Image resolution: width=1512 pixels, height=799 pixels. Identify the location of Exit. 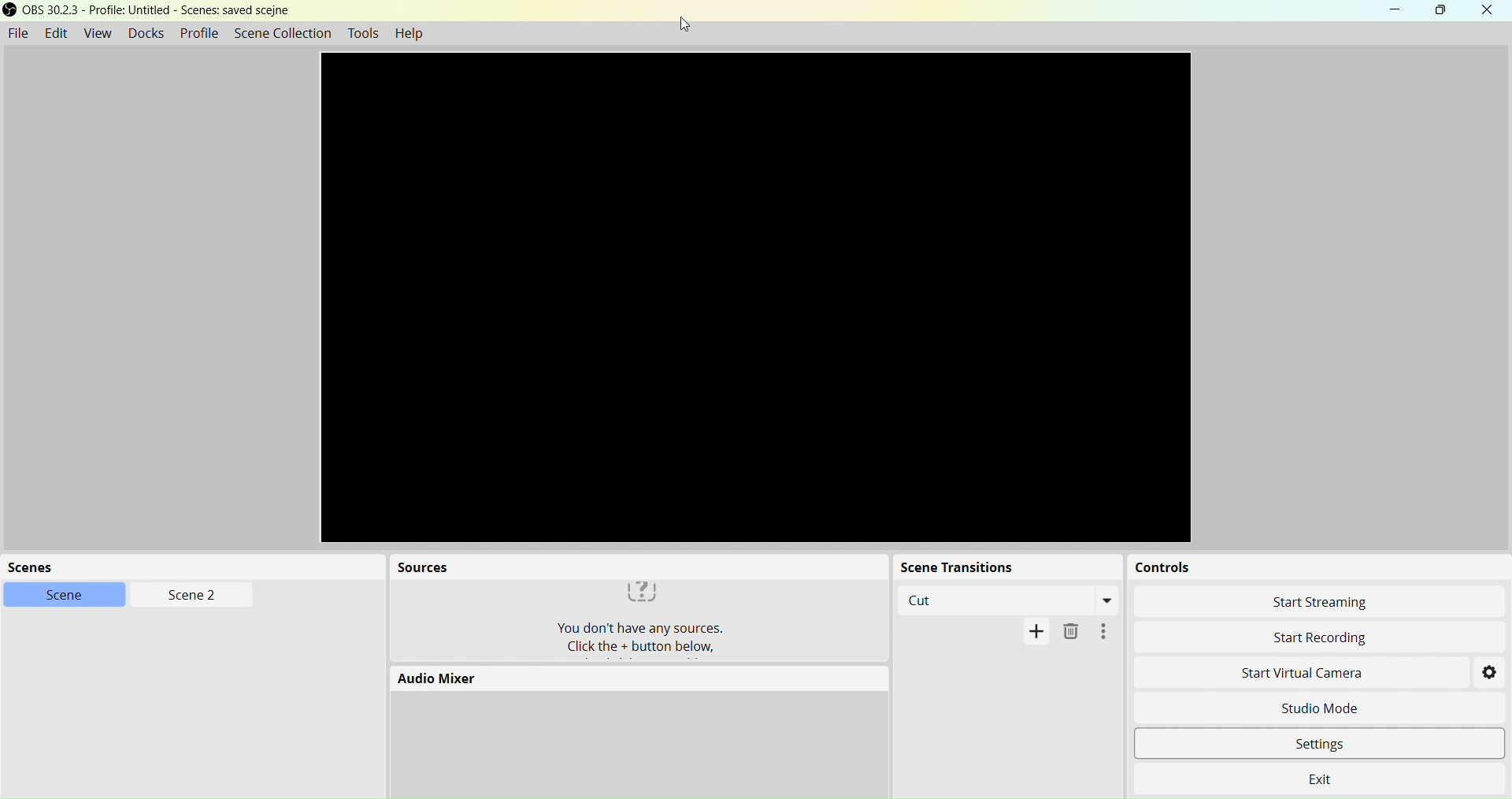
(1325, 779).